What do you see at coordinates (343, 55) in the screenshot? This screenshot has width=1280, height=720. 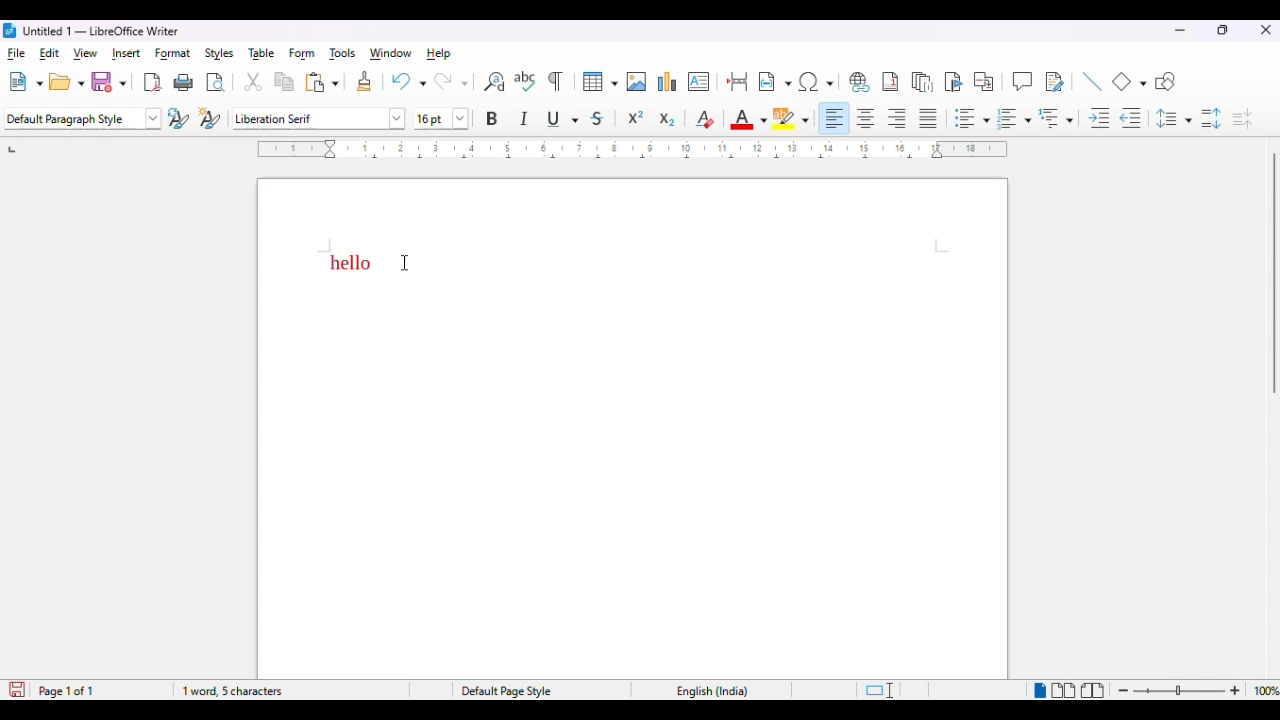 I see `tools` at bounding box center [343, 55].